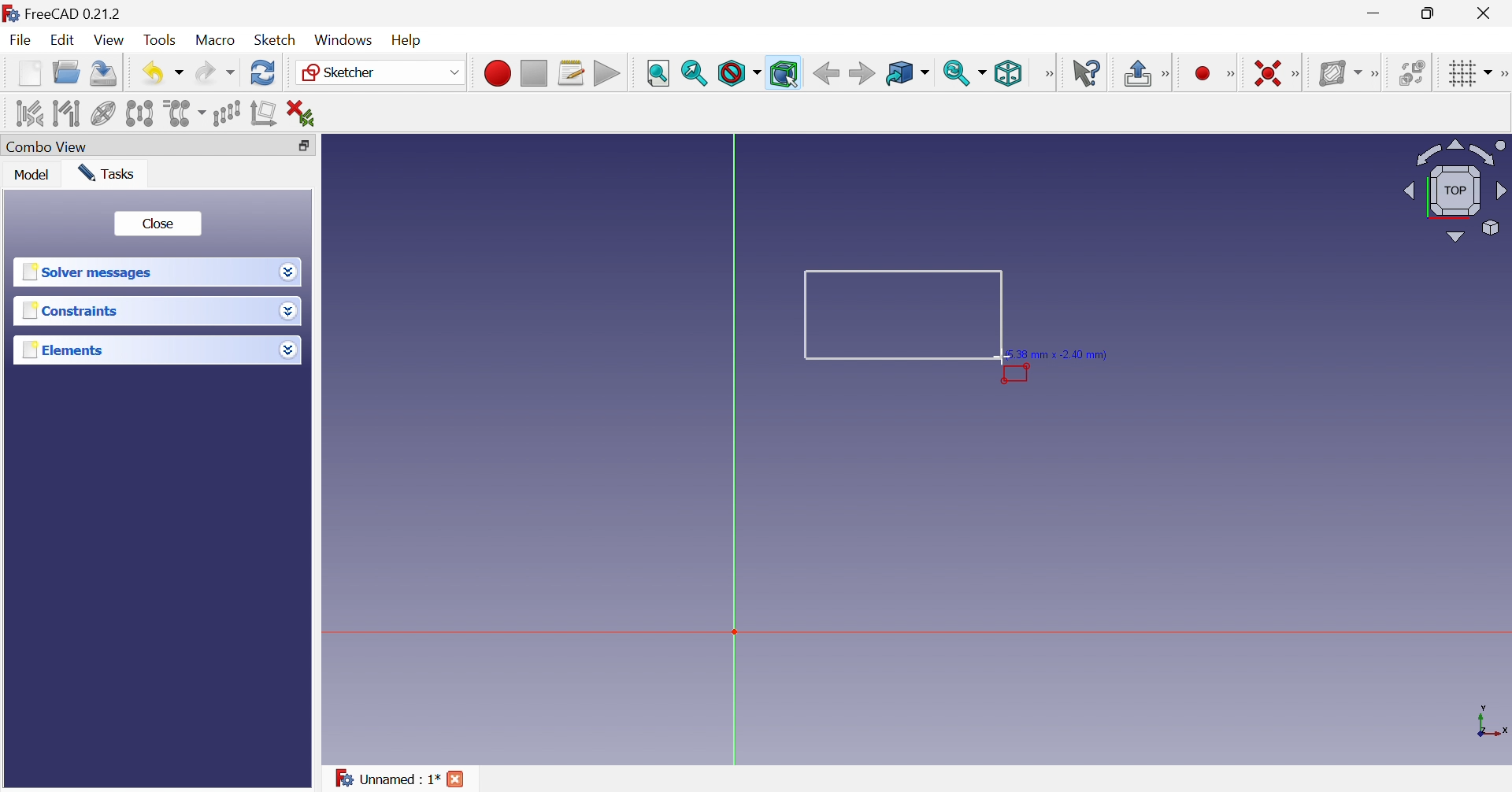  I want to click on Execute macro, so click(607, 74).